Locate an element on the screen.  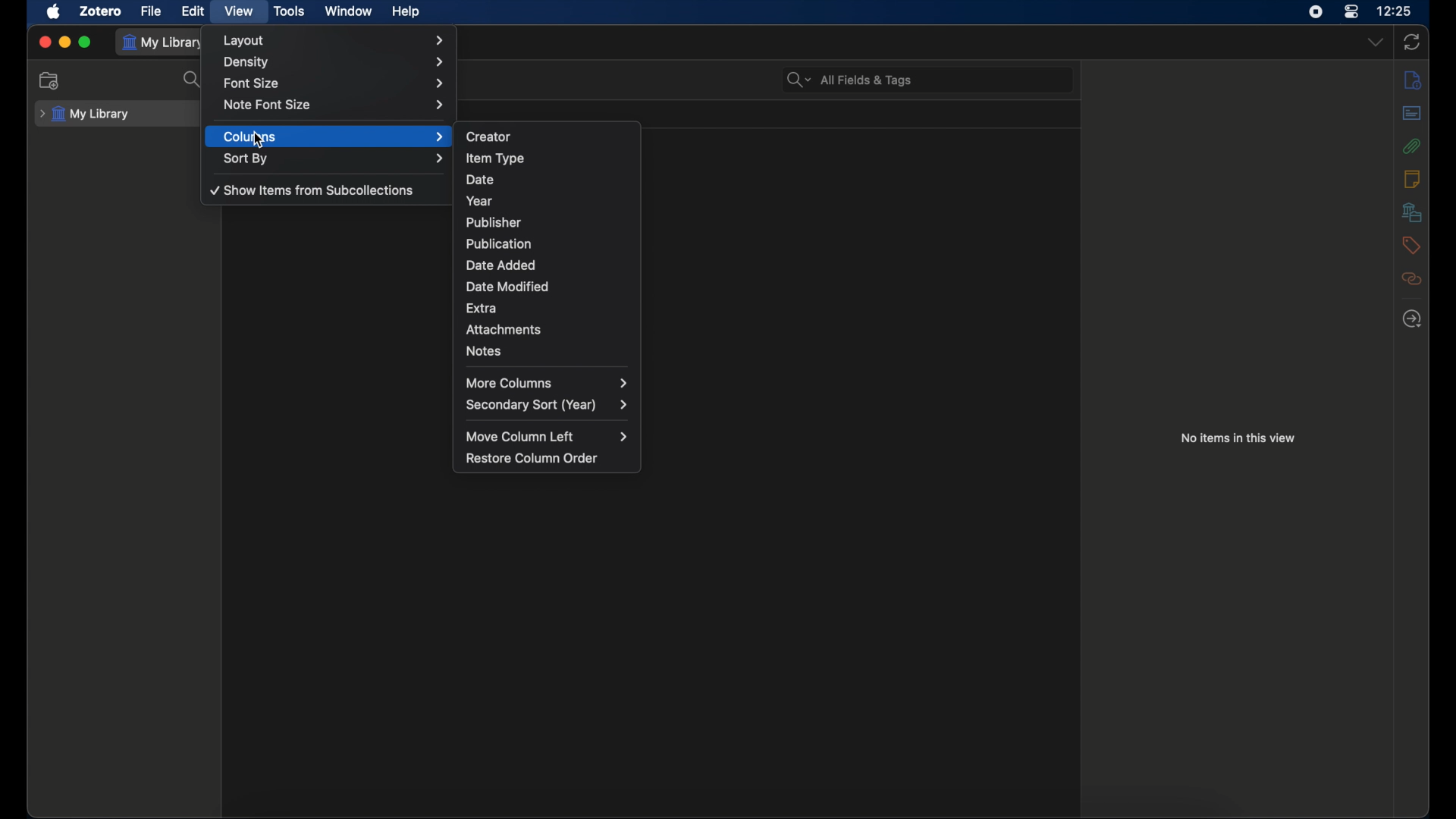
search is located at coordinates (192, 80).